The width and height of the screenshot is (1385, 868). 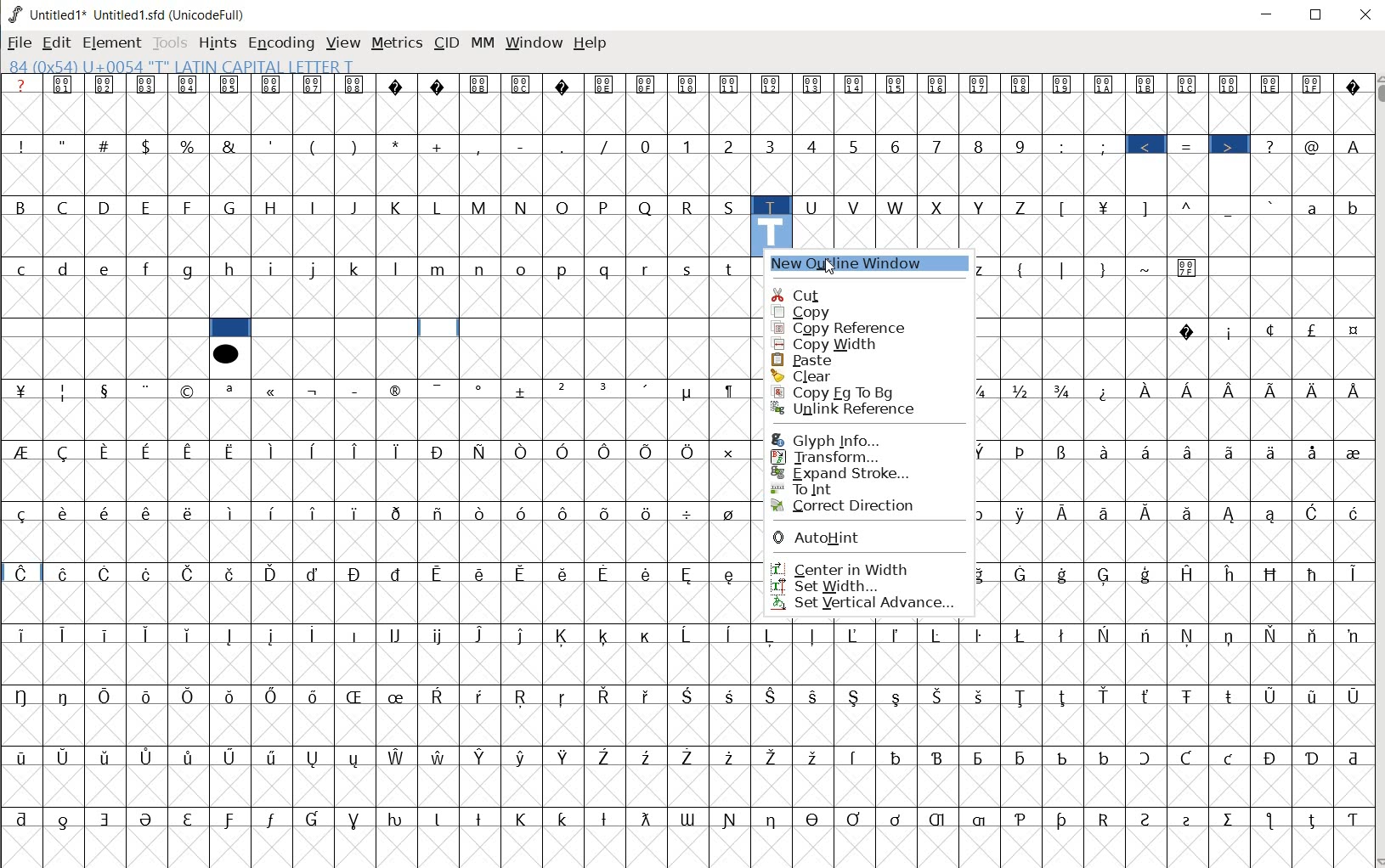 What do you see at coordinates (1103, 269) in the screenshot?
I see `)` at bounding box center [1103, 269].